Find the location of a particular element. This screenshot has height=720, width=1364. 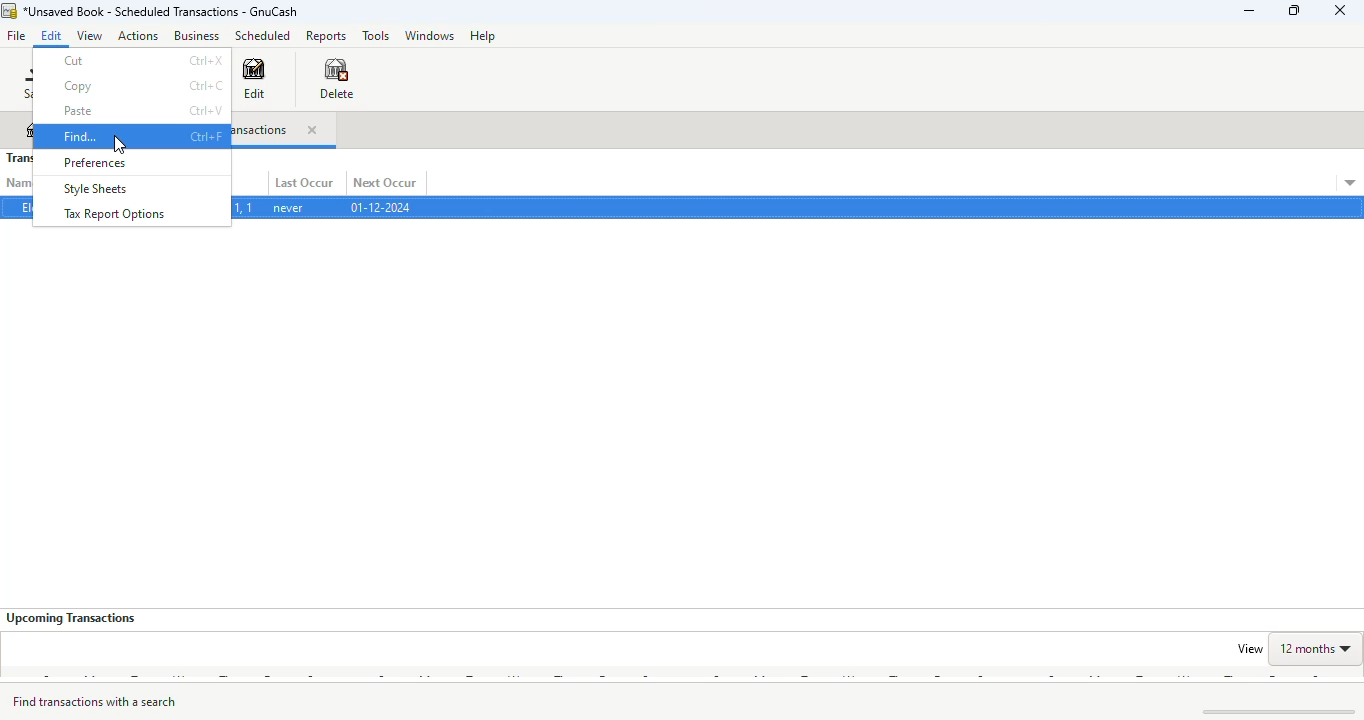

close tab is located at coordinates (311, 130).